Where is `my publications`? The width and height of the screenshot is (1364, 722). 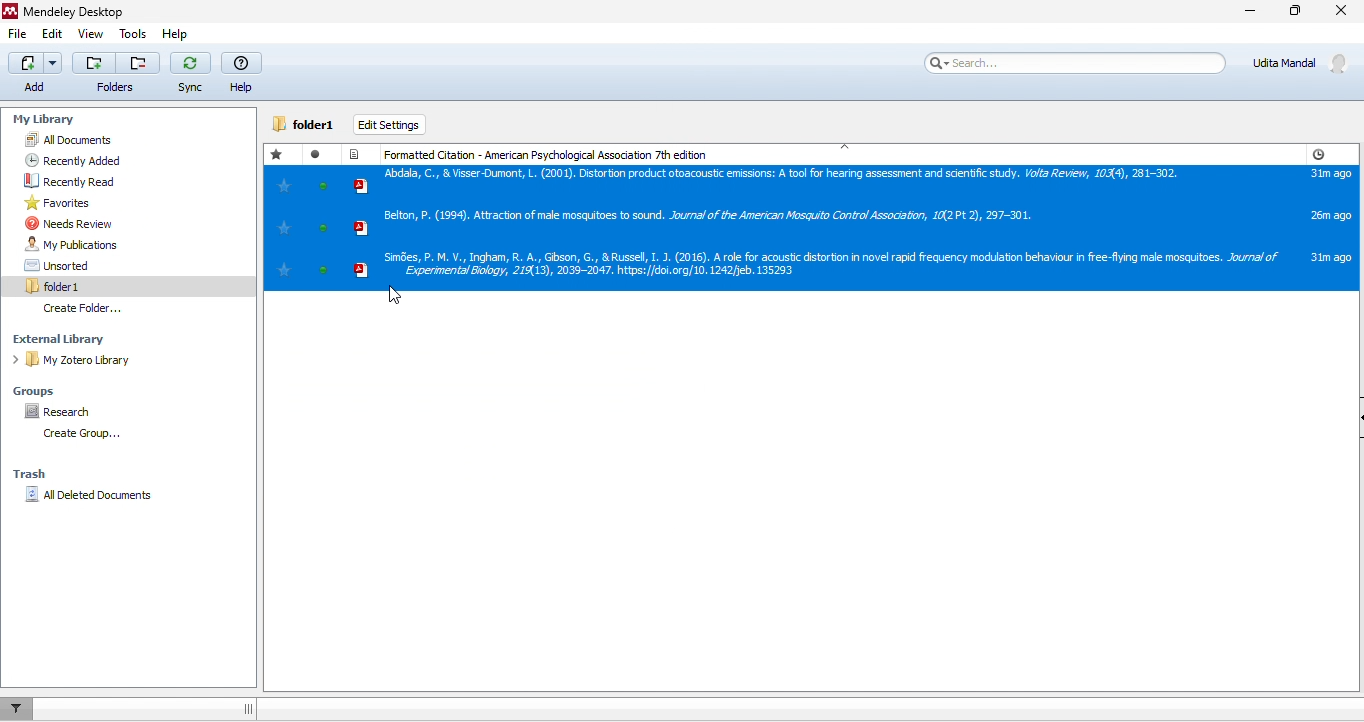
my publications is located at coordinates (88, 244).